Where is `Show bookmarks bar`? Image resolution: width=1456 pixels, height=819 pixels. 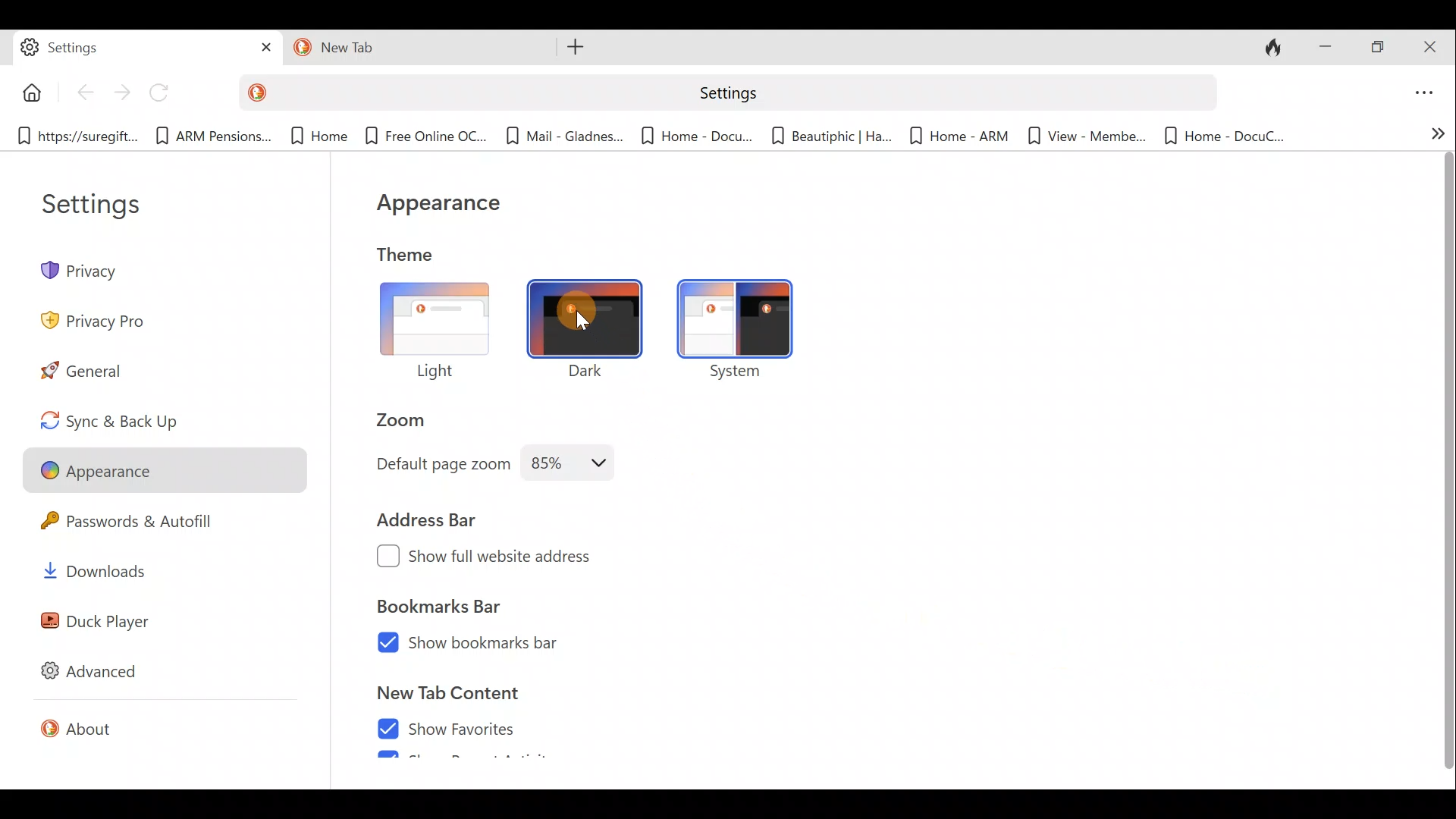 Show bookmarks bar is located at coordinates (483, 645).